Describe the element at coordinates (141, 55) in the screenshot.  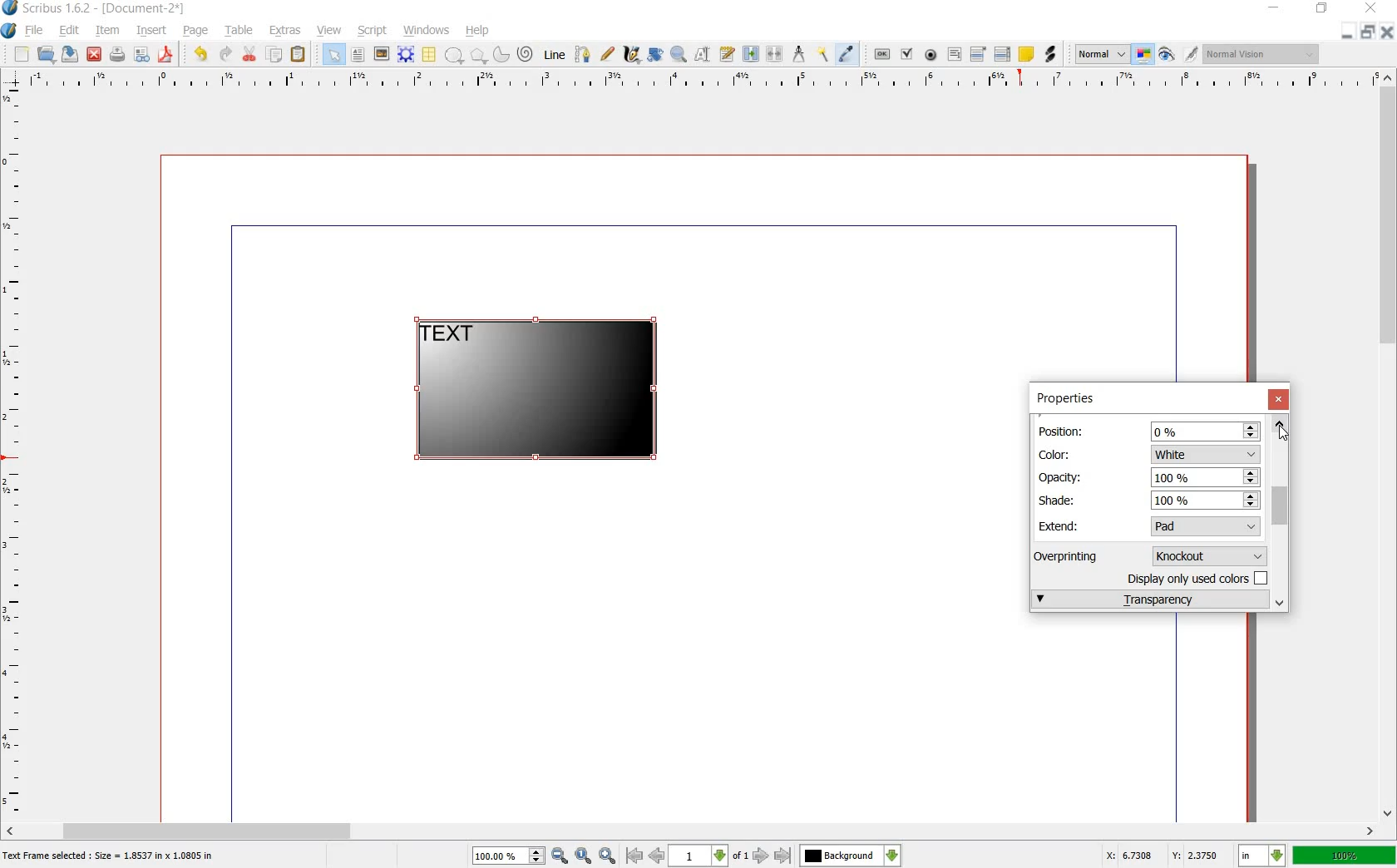
I see `preflight verifier` at that location.